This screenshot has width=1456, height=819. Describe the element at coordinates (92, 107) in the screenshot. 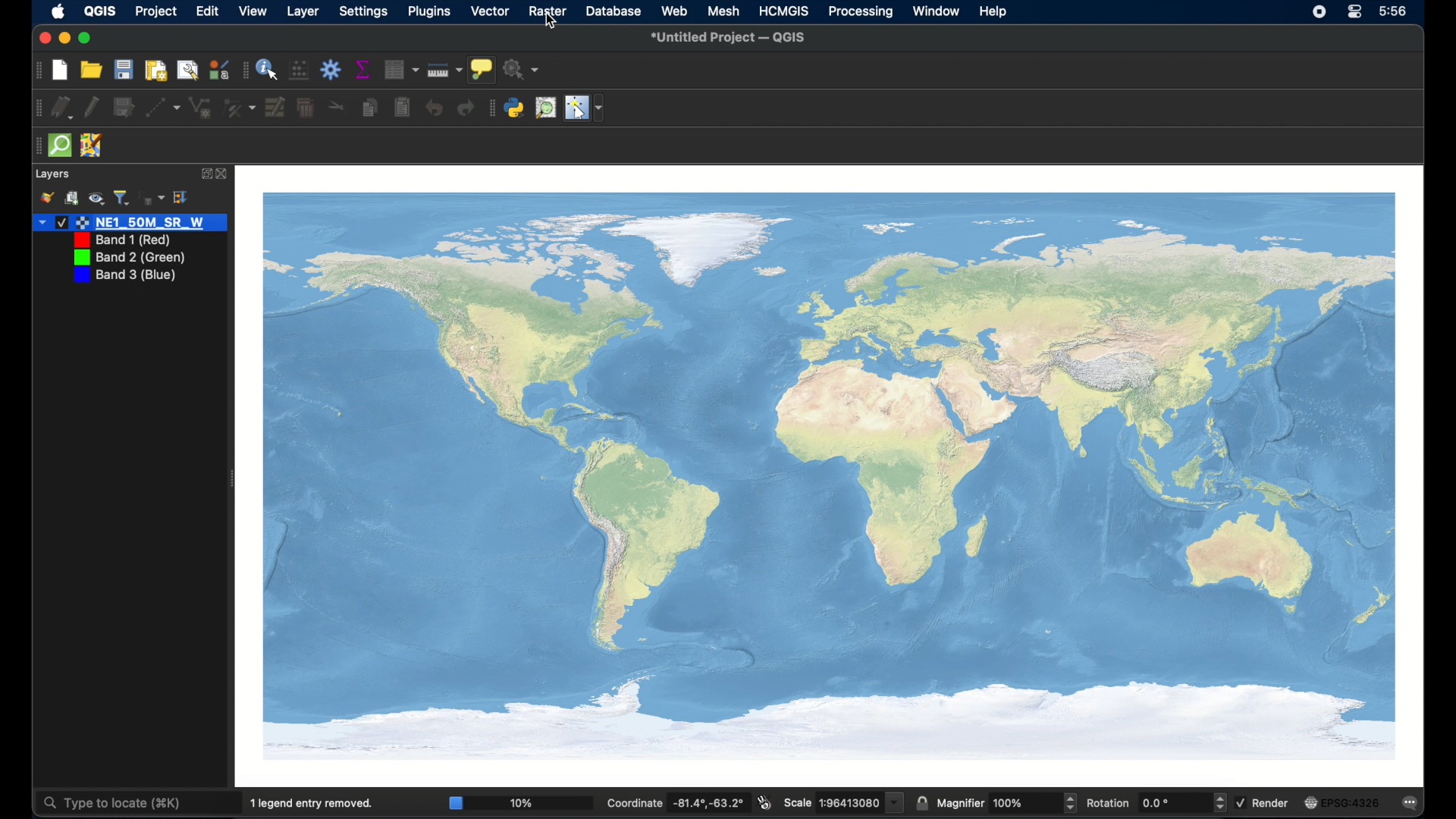

I see `toggle editing` at that location.